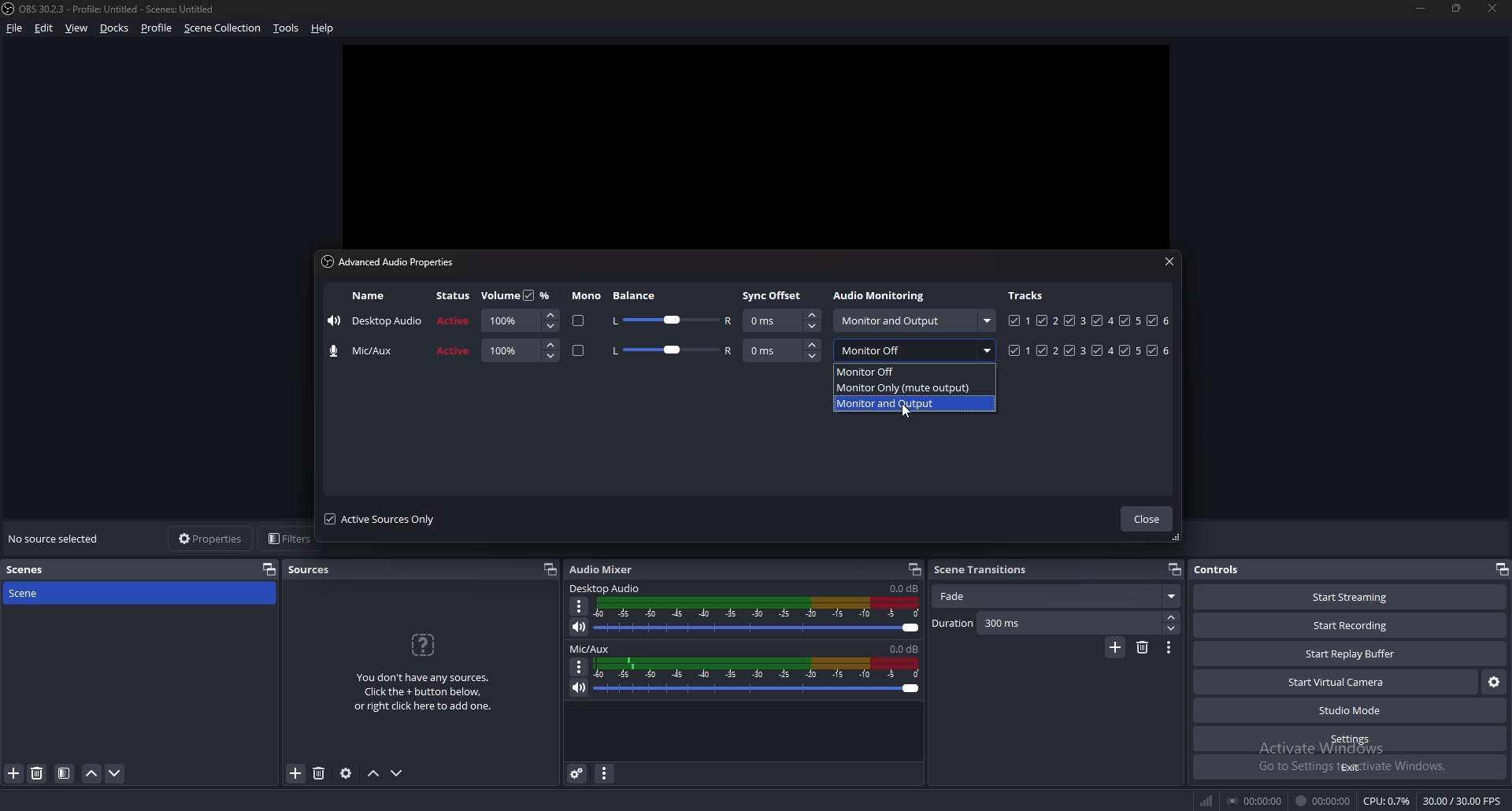  I want to click on network, so click(1208, 801).